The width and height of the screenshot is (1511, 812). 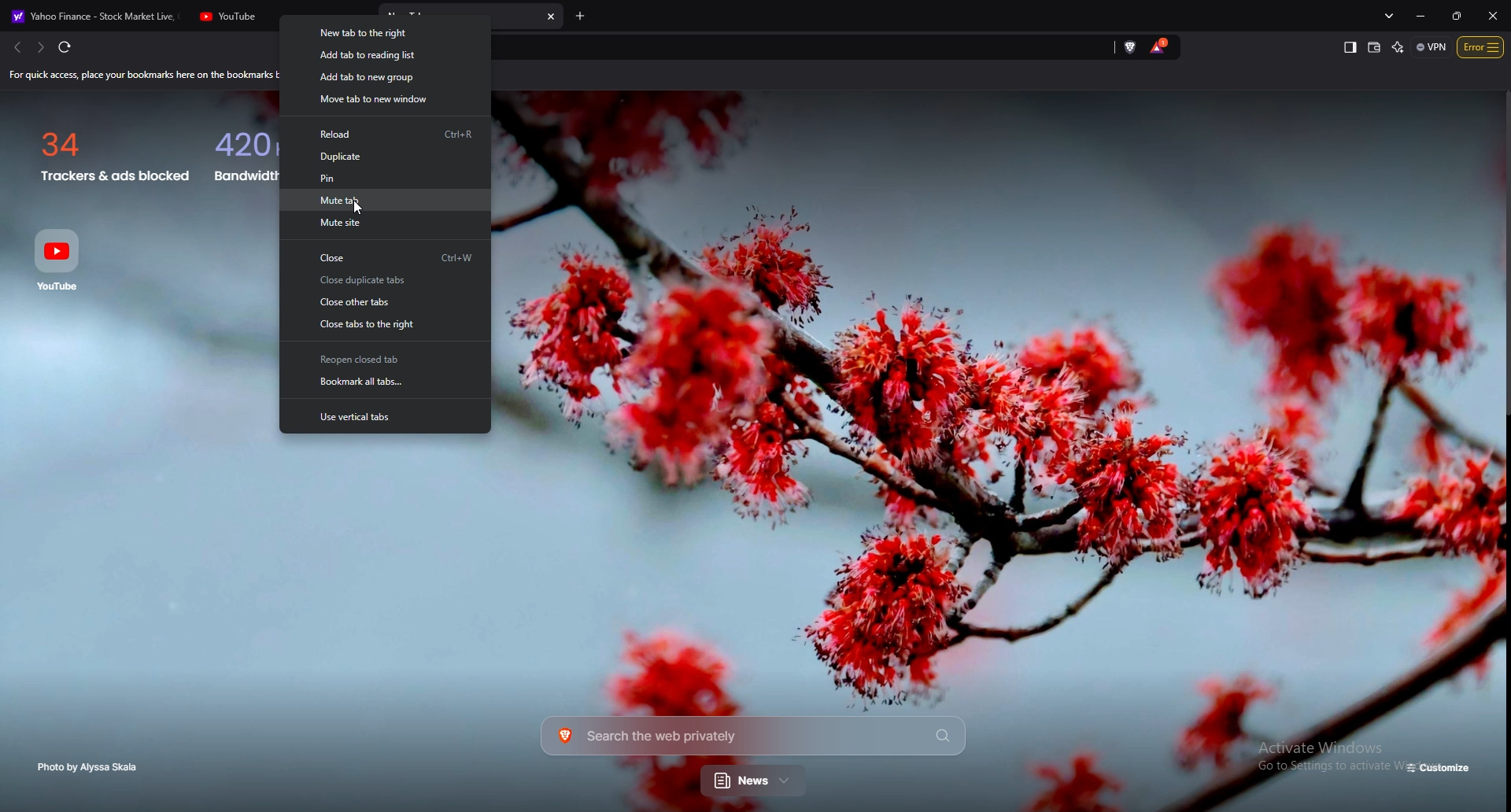 I want to click on mute tab, so click(x=382, y=199).